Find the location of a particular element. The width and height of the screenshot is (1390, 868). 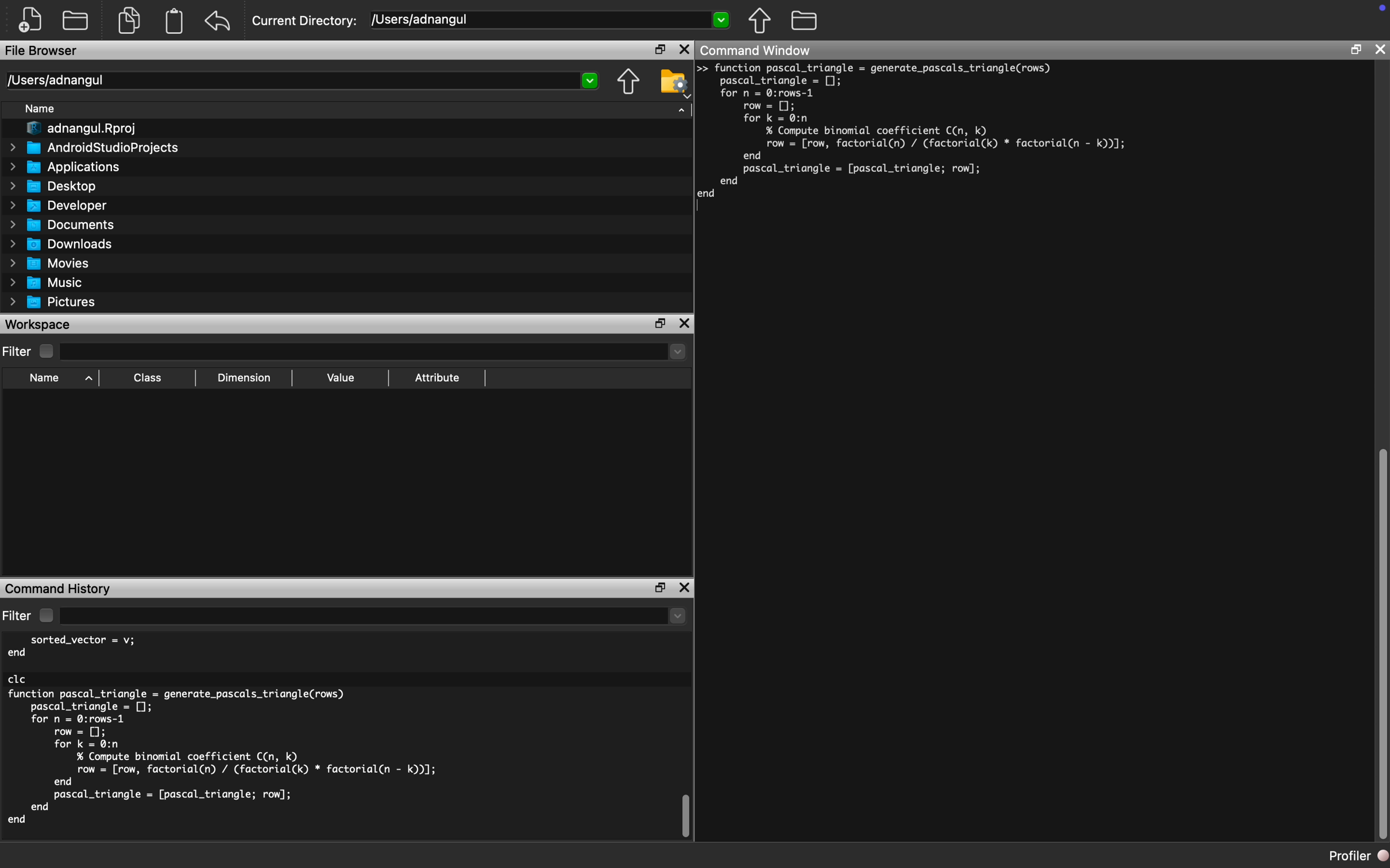

Clipboard is located at coordinates (173, 21).